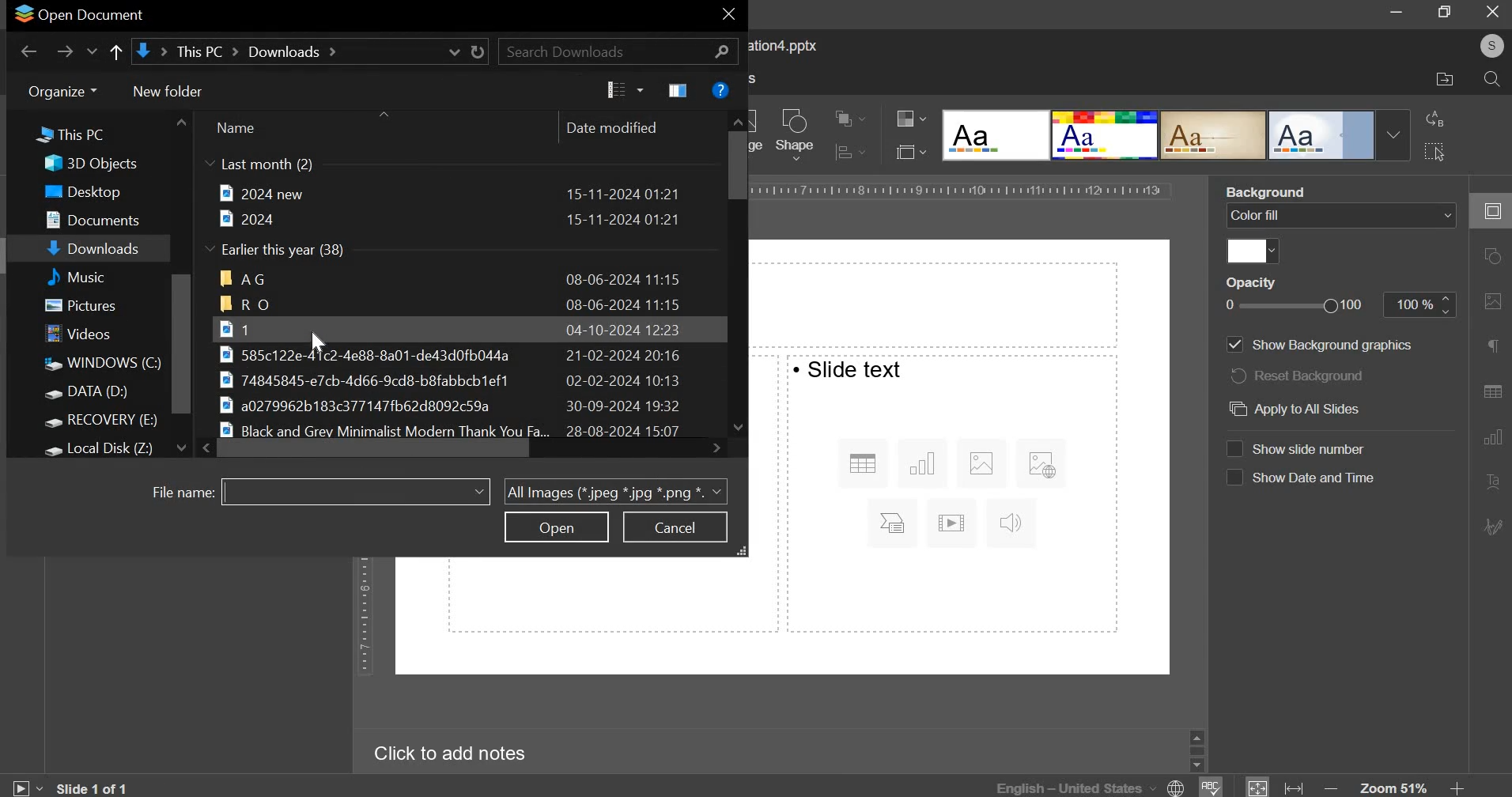  I want to click on file name, so click(354, 490).